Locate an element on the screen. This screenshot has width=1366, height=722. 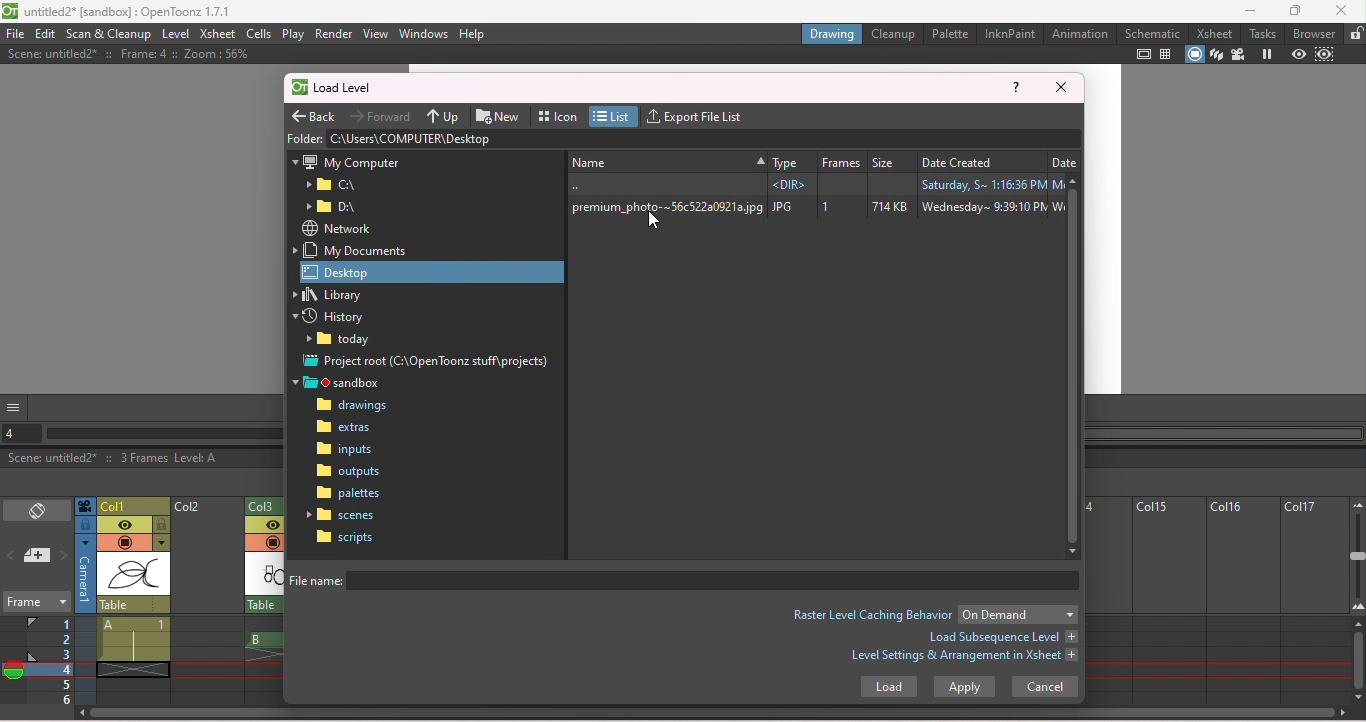
Palette is located at coordinates (951, 33).